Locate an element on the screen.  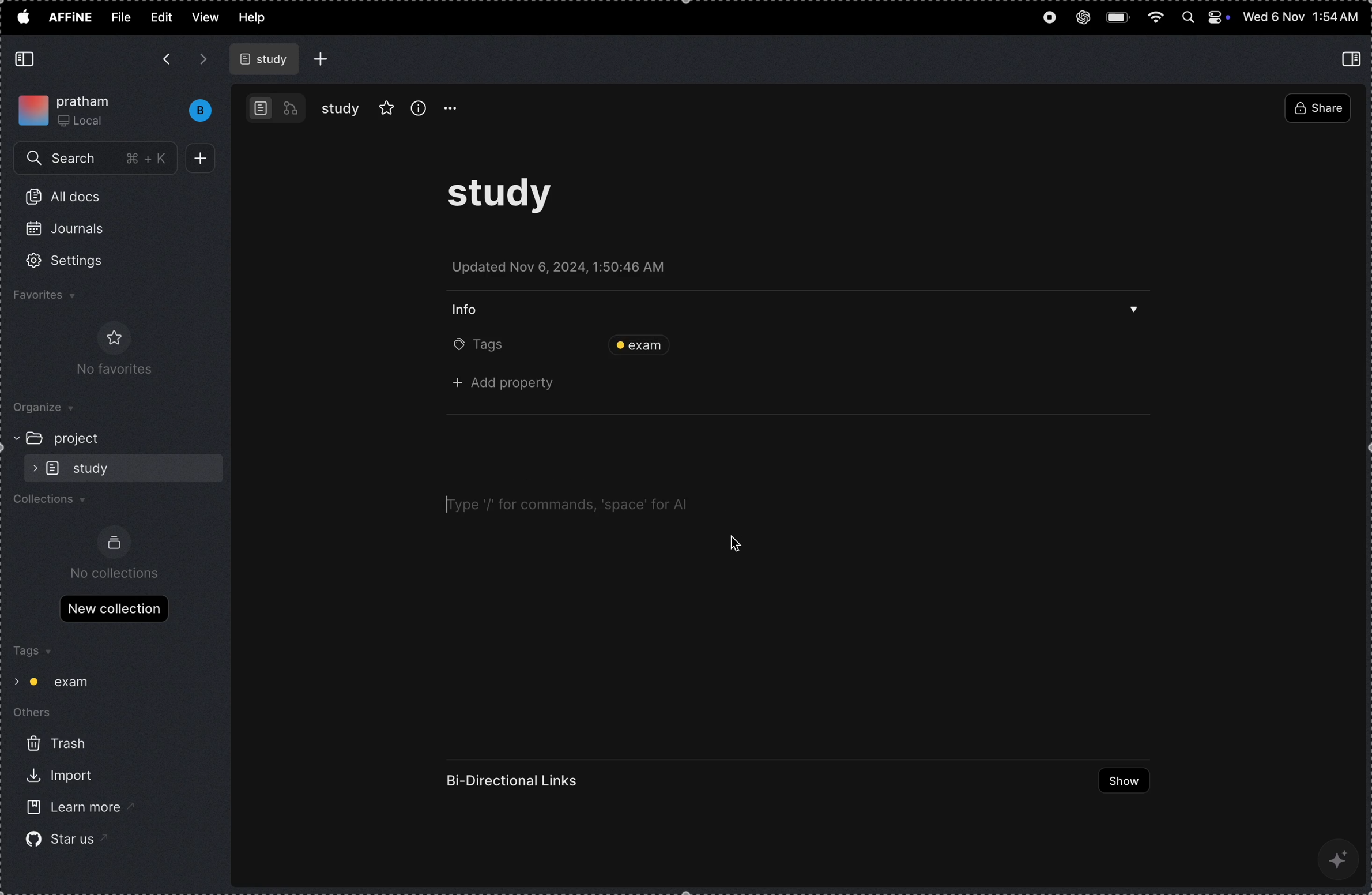
new collections is located at coordinates (114, 607).